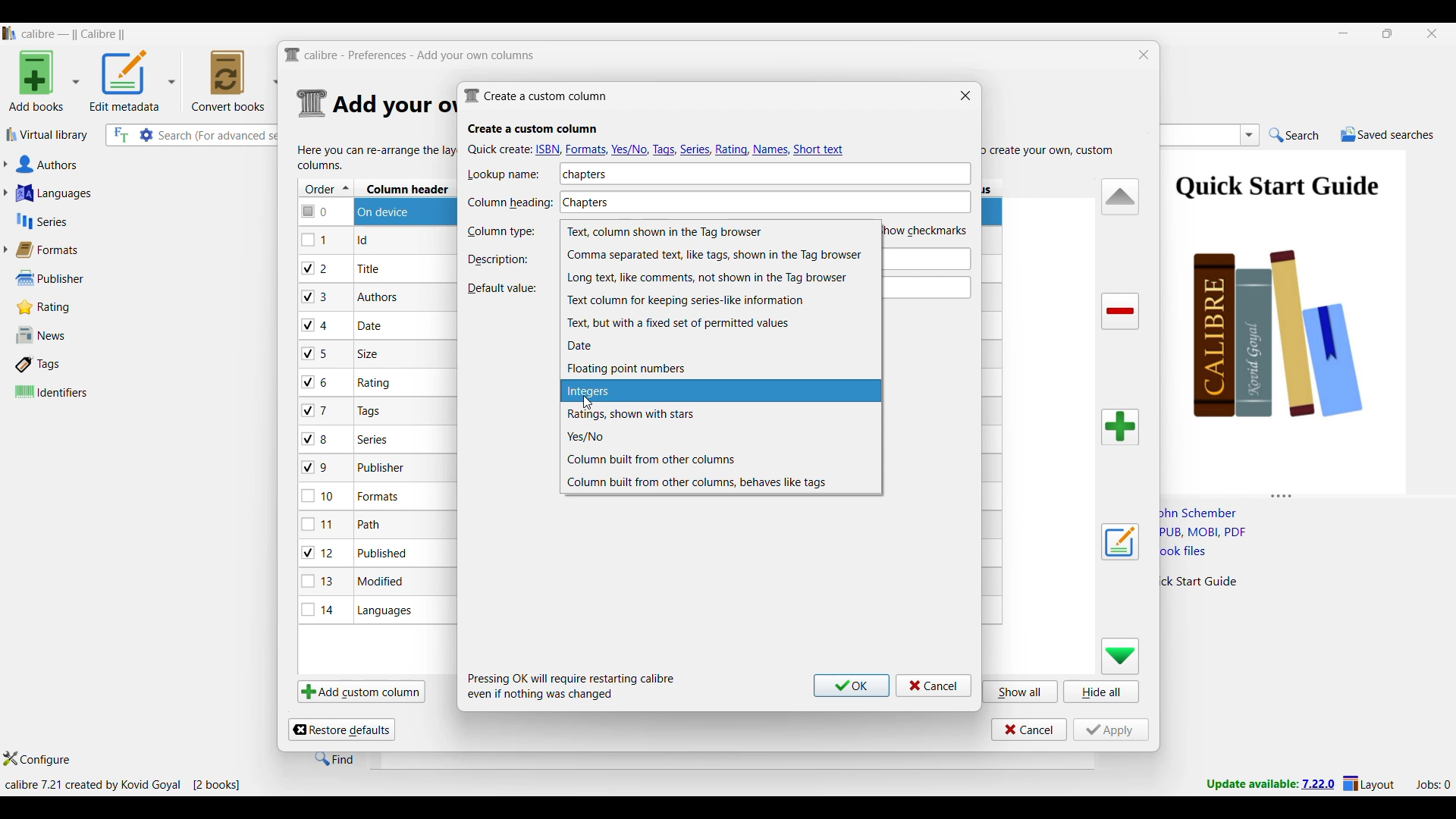 This screenshot has height=819, width=1456. I want to click on Toggle for Show checkmarks, so click(927, 230).